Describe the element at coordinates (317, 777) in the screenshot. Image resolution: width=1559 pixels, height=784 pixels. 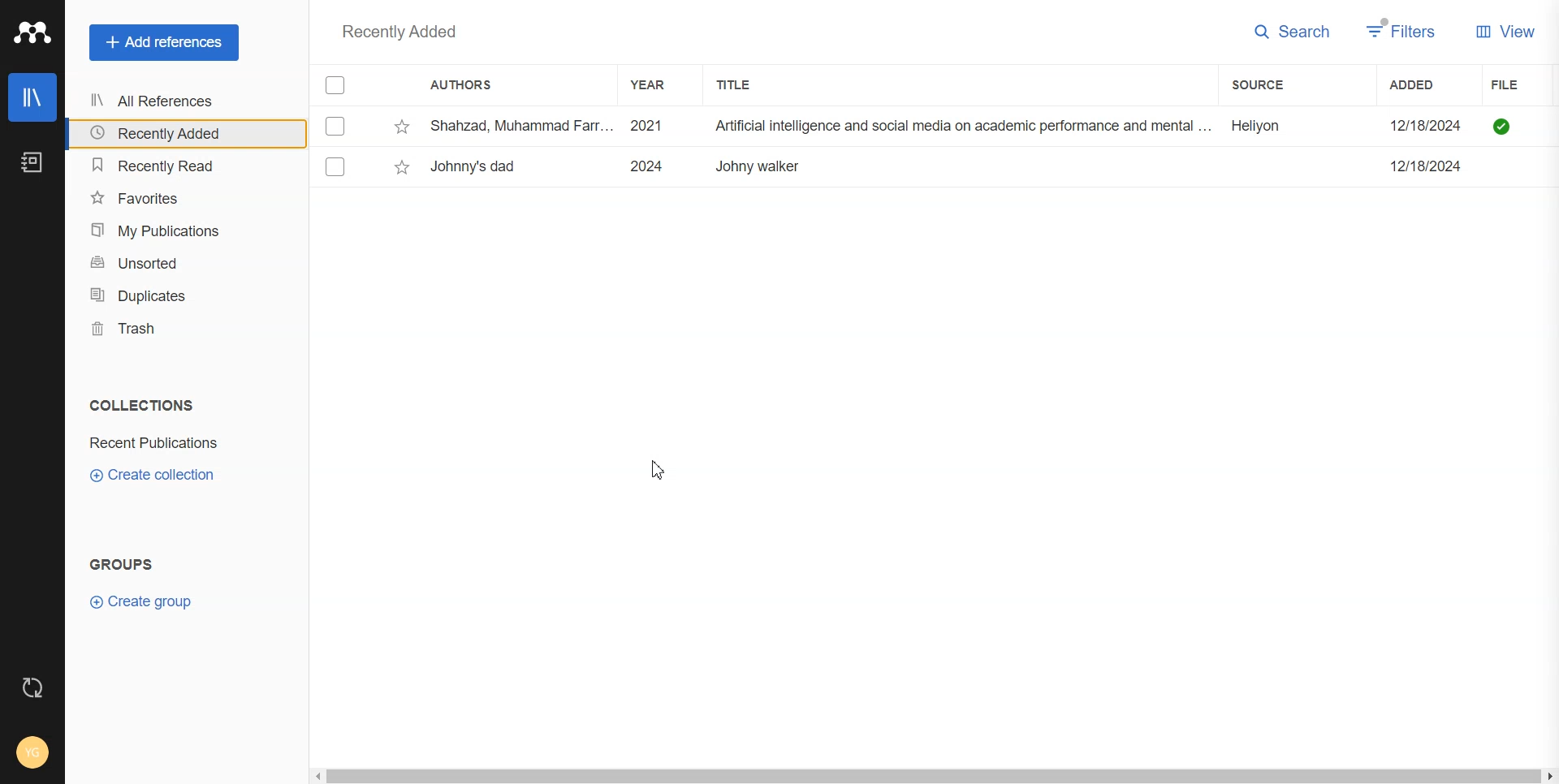
I see `scroll left` at that location.